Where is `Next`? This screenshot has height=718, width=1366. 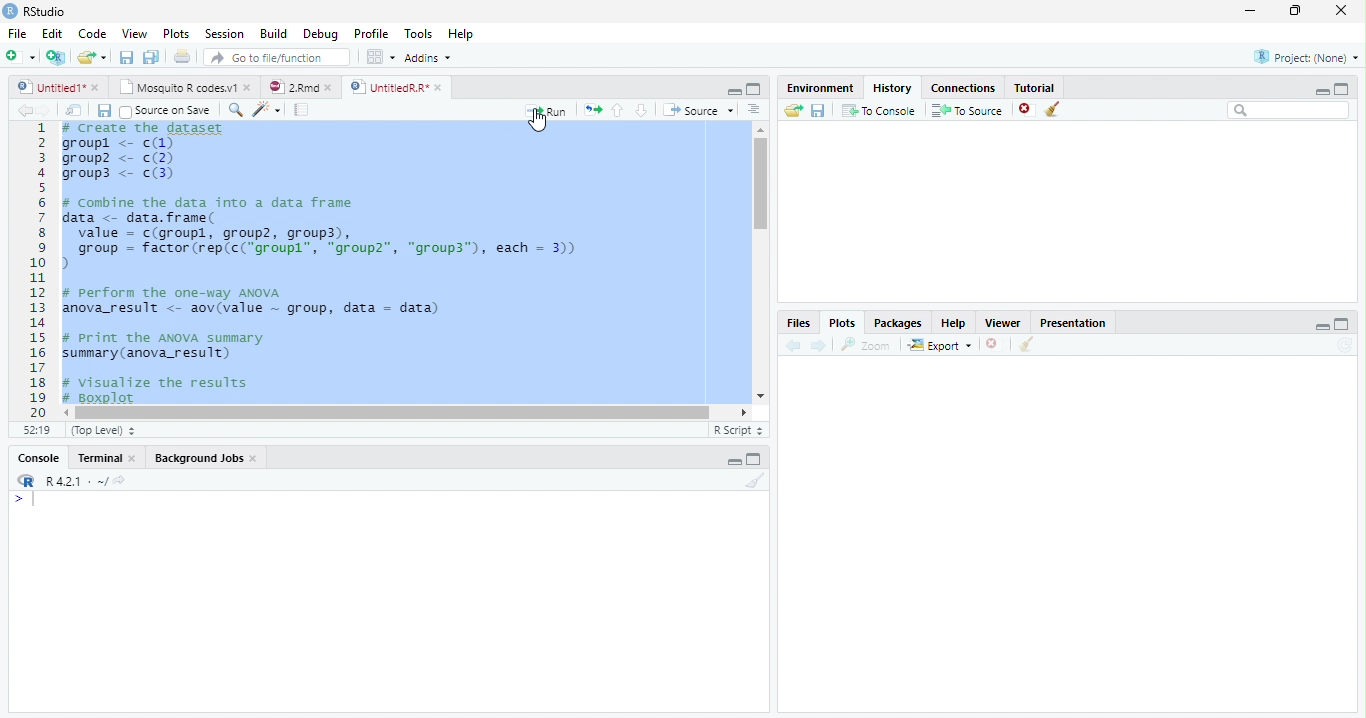 Next is located at coordinates (52, 111).